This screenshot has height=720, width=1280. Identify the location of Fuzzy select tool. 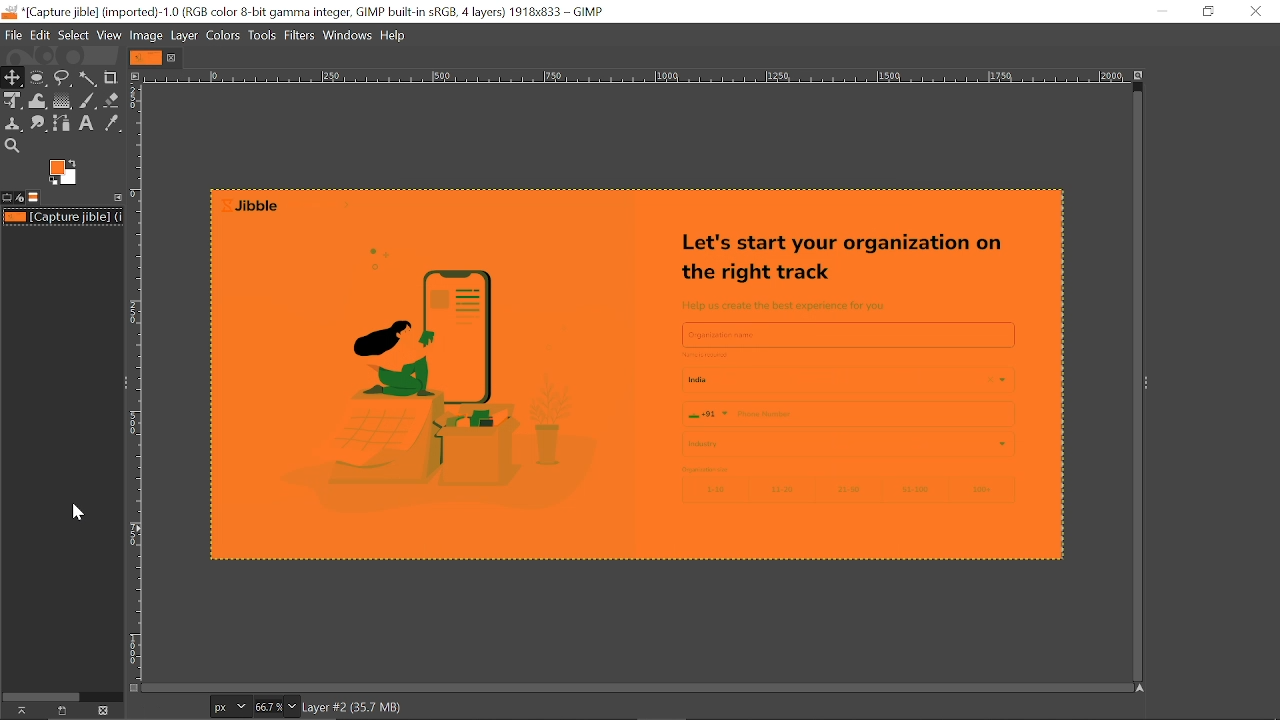
(89, 78).